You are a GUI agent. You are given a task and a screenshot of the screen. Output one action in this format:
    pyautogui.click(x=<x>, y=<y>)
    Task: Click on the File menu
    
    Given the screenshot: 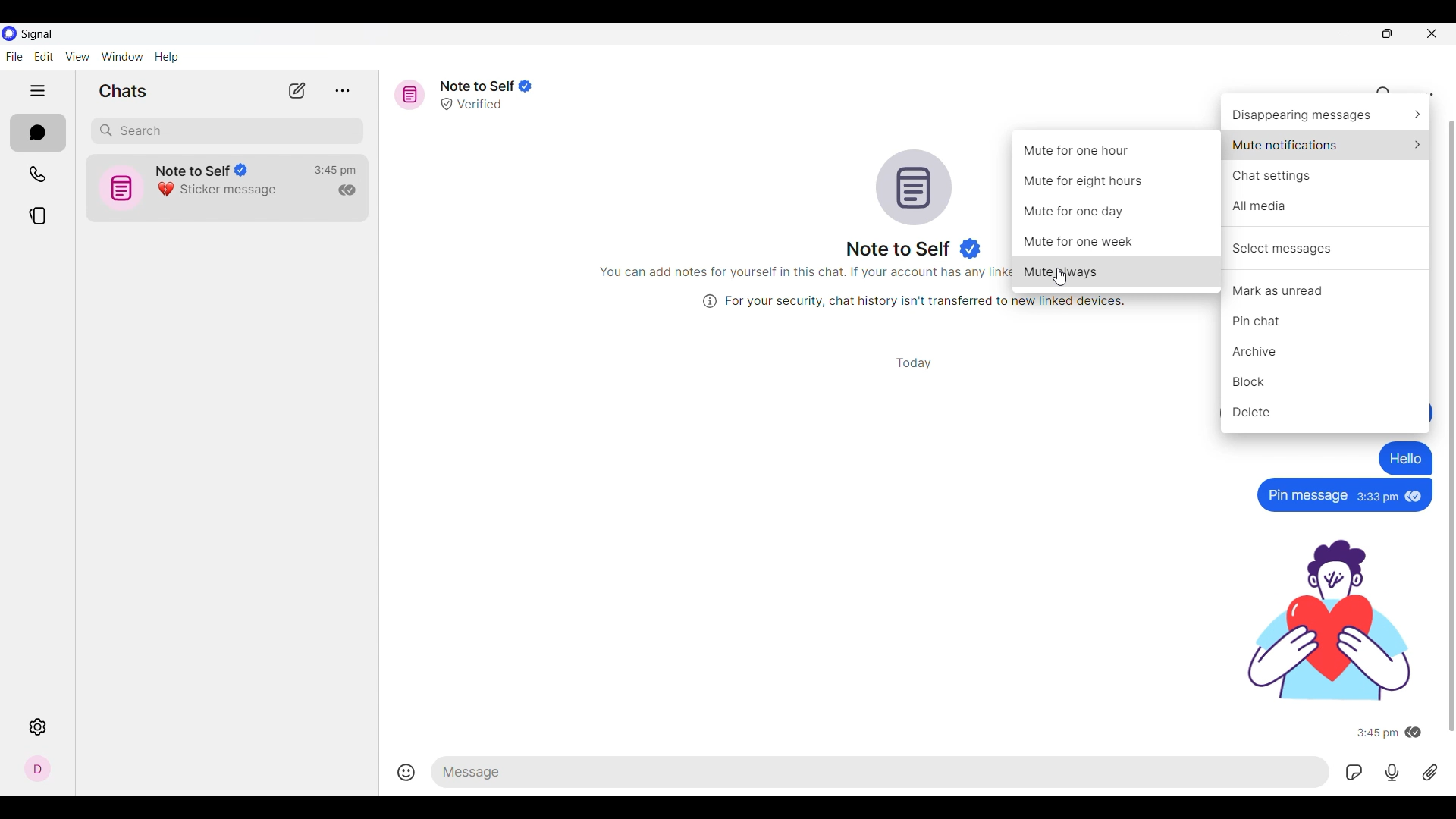 What is the action you would take?
    pyautogui.click(x=14, y=56)
    